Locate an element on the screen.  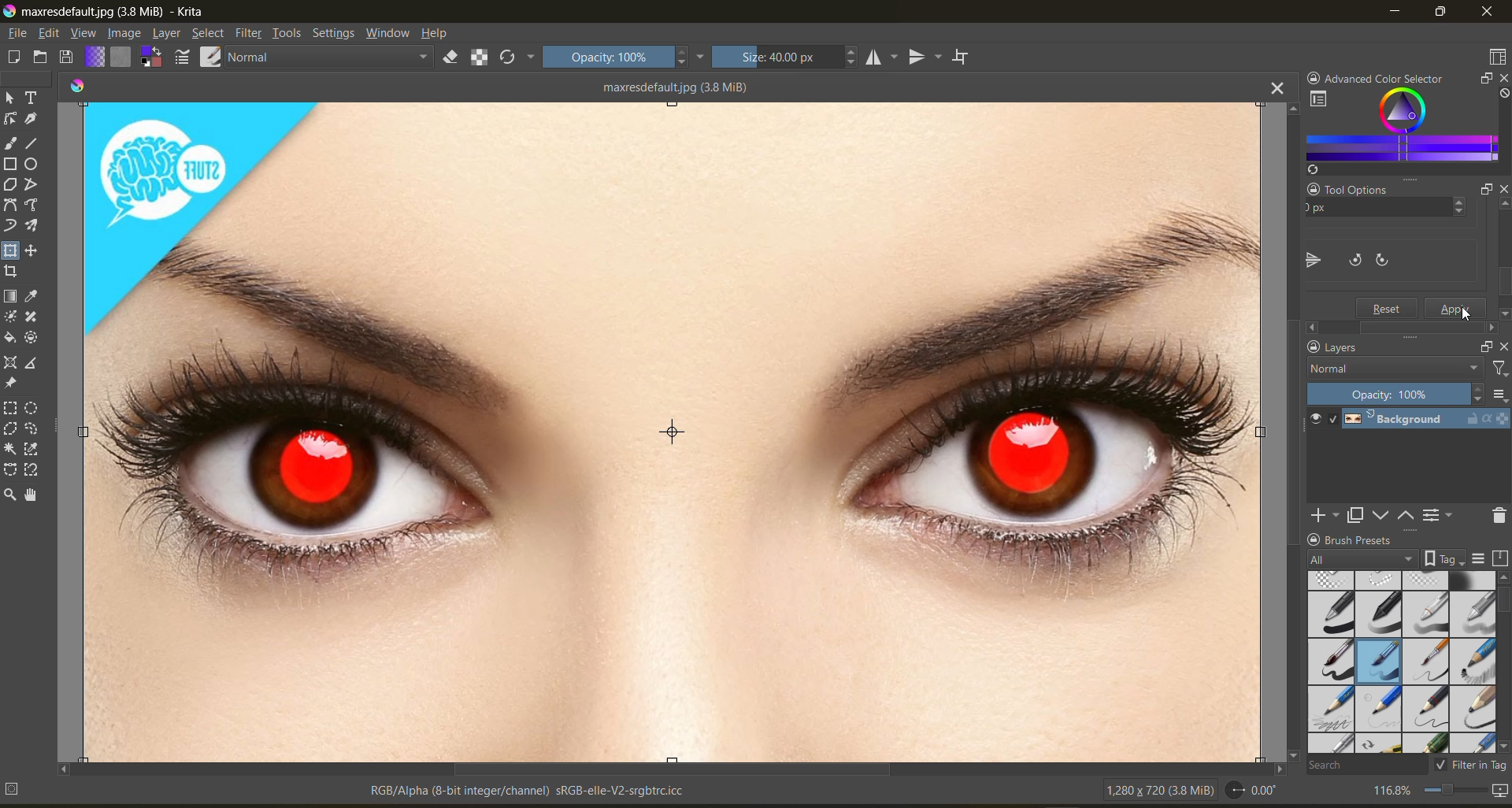
metadata is located at coordinates (349, 790).